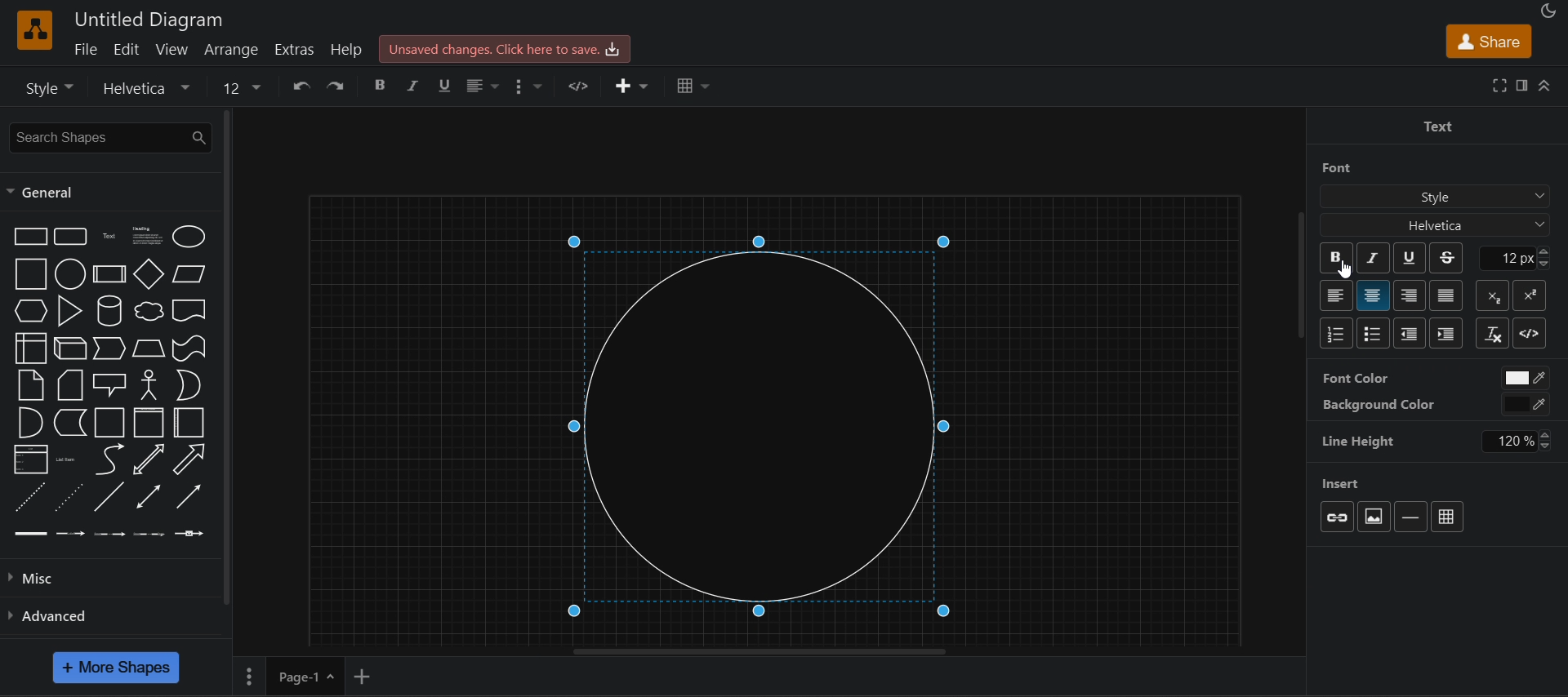  Describe the element at coordinates (1408, 258) in the screenshot. I see `underline` at that location.